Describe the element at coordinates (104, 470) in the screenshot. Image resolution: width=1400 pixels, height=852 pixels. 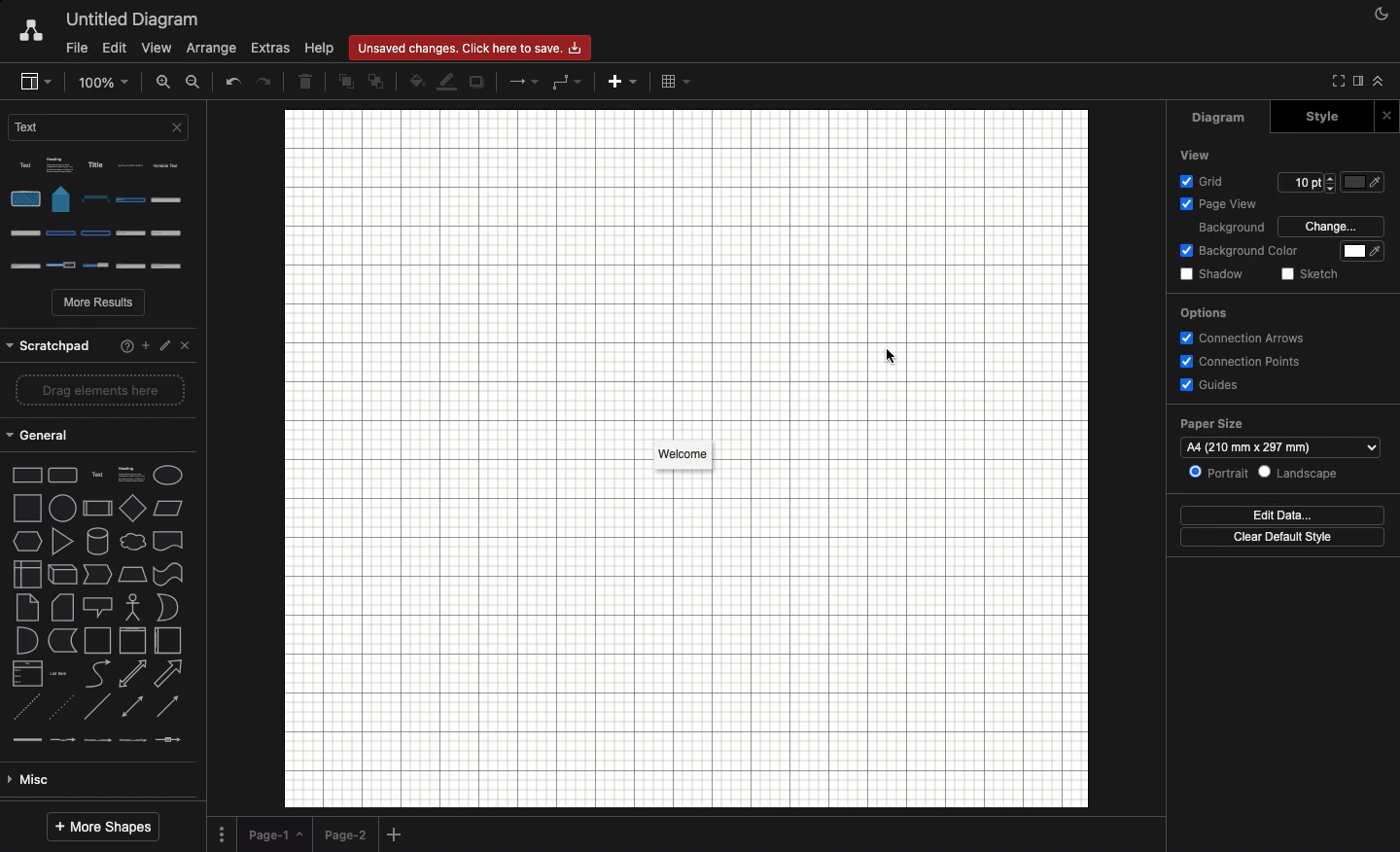
I see `shapes` at that location.